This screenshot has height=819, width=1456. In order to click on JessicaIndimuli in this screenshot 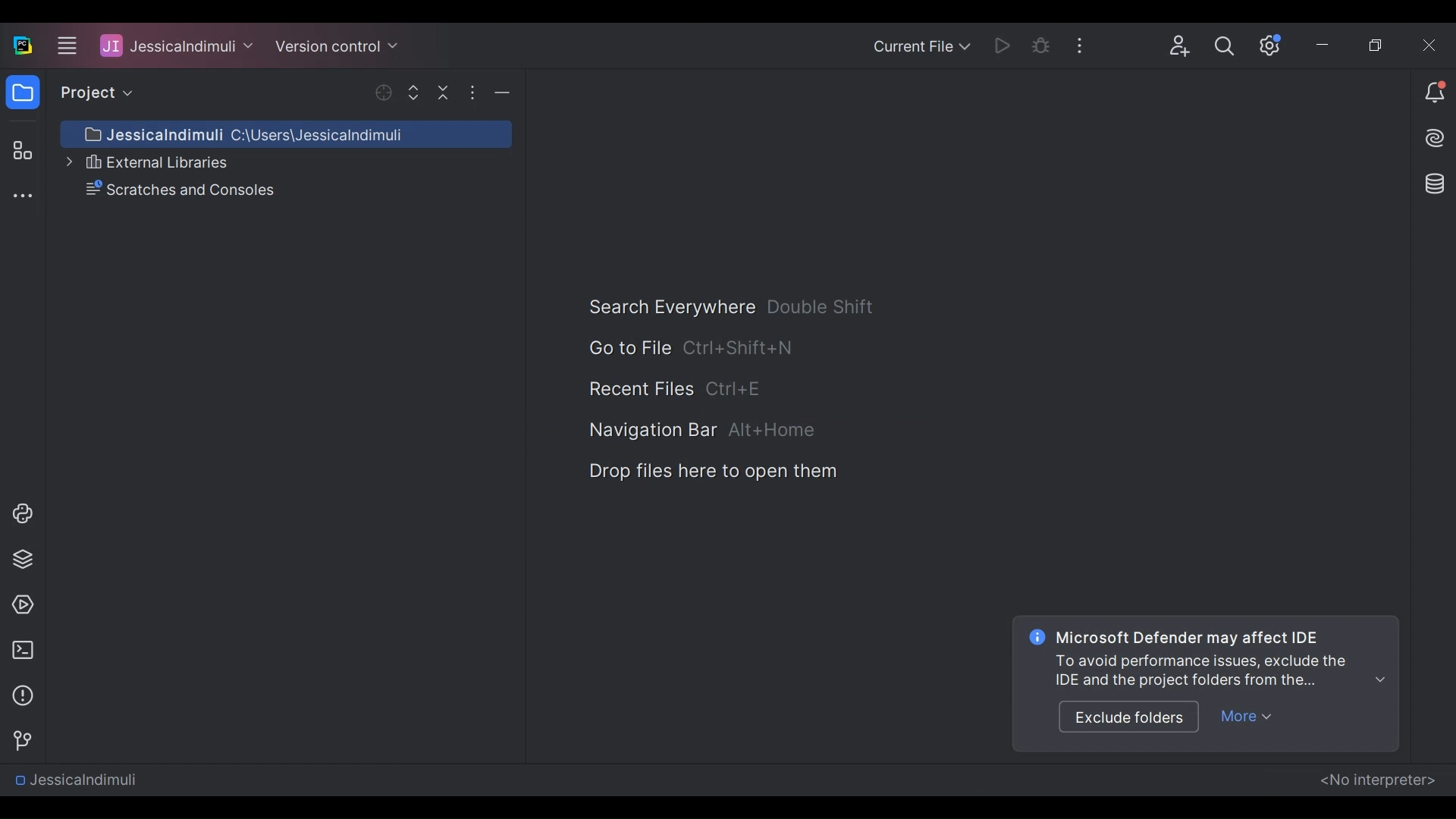, I will do `click(81, 780)`.